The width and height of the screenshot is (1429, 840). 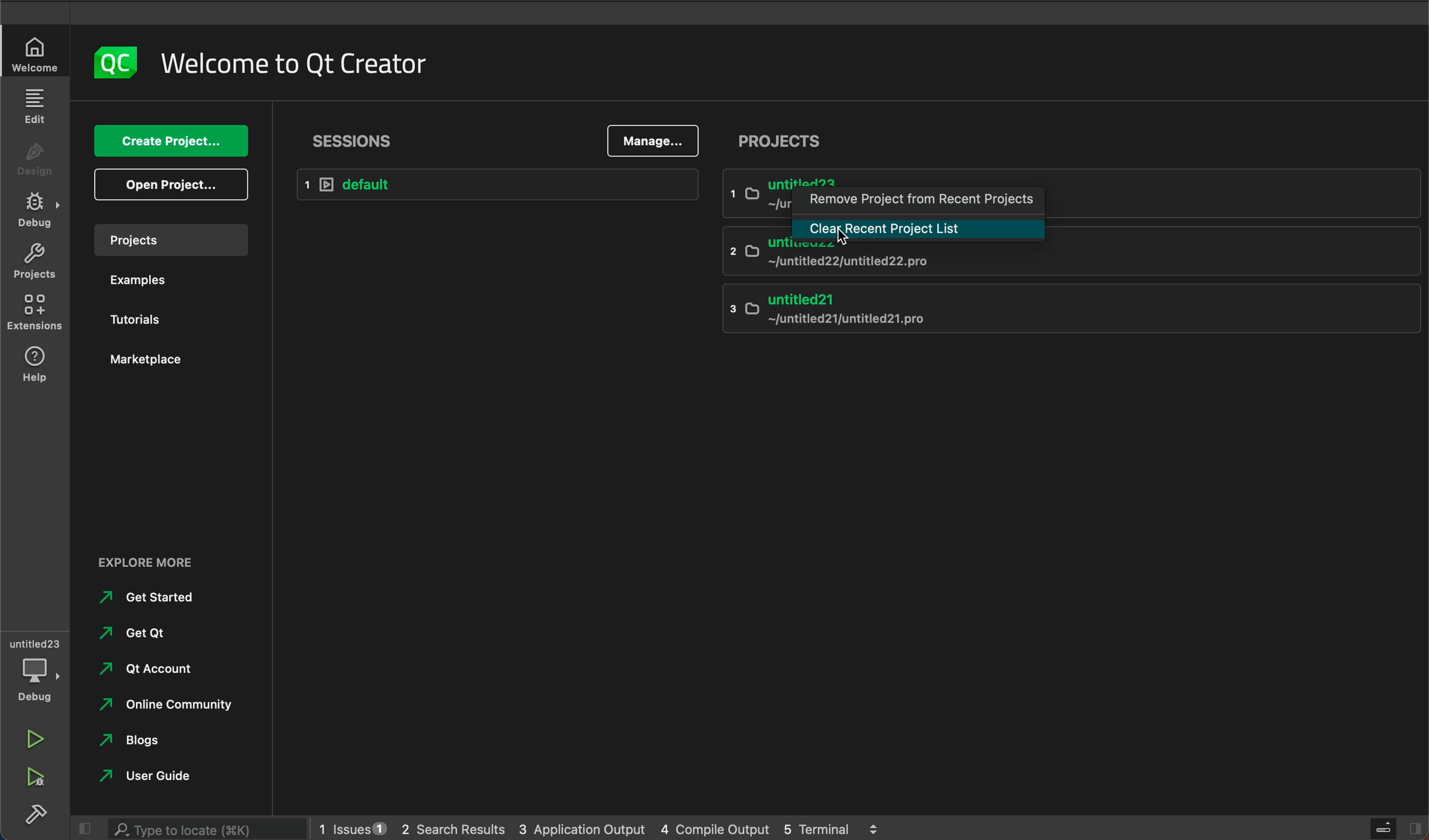 I want to click on edit, so click(x=33, y=107).